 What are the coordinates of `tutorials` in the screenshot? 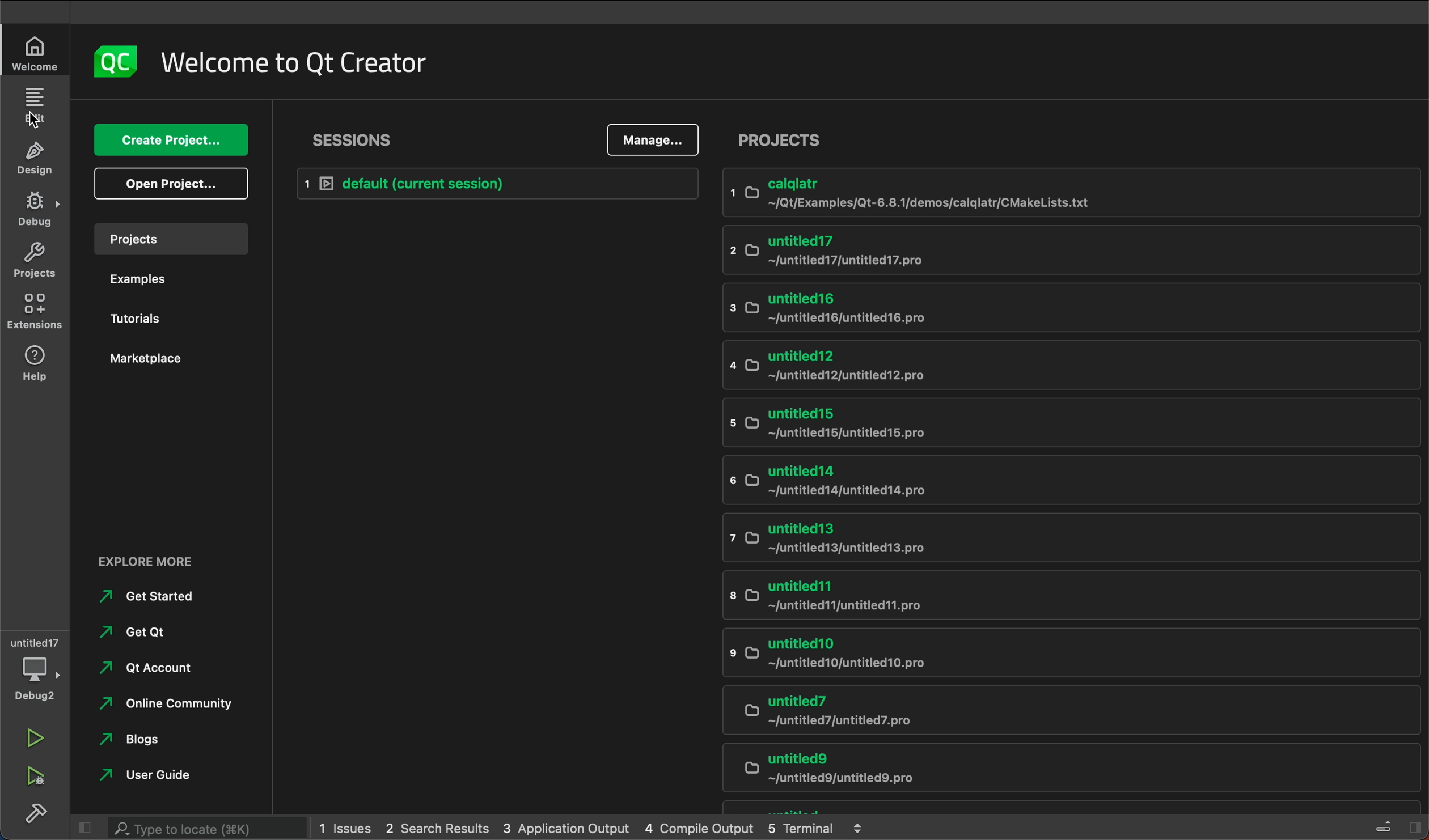 It's located at (168, 317).